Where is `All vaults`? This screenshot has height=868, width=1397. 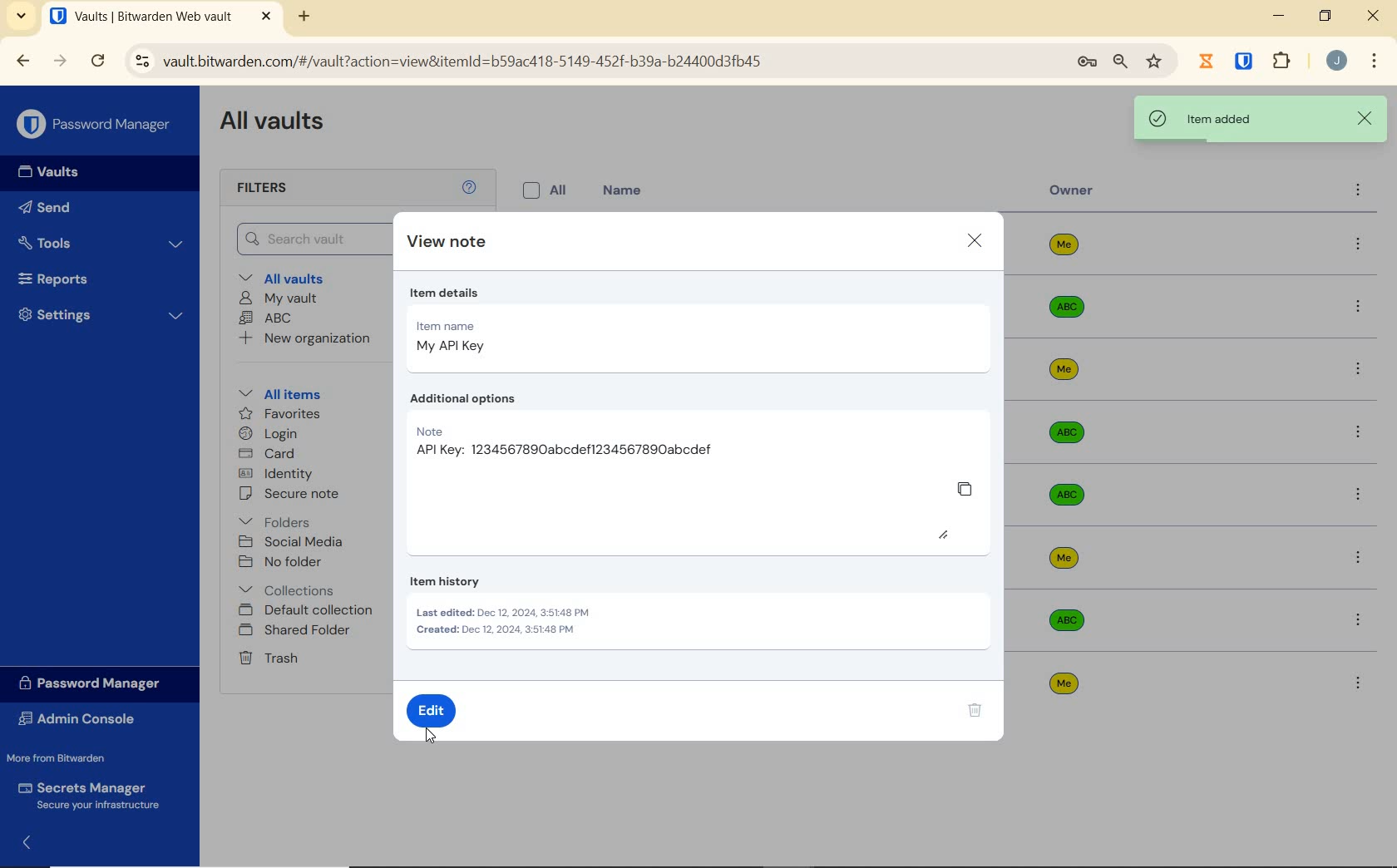 All vaults is located at coordinates (297, 279).